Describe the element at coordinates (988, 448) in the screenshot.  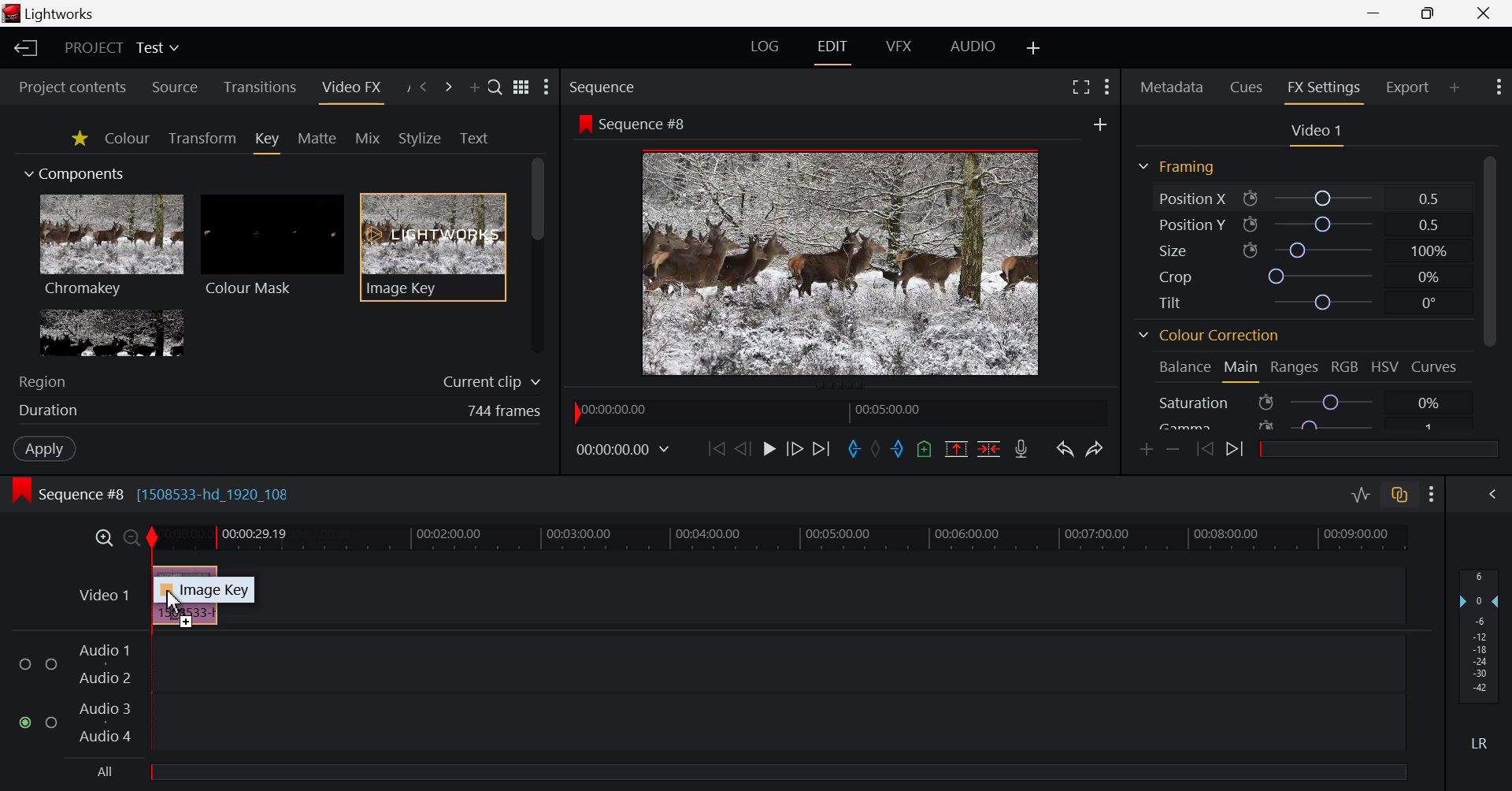
I see `Delete/Cut` at that location.